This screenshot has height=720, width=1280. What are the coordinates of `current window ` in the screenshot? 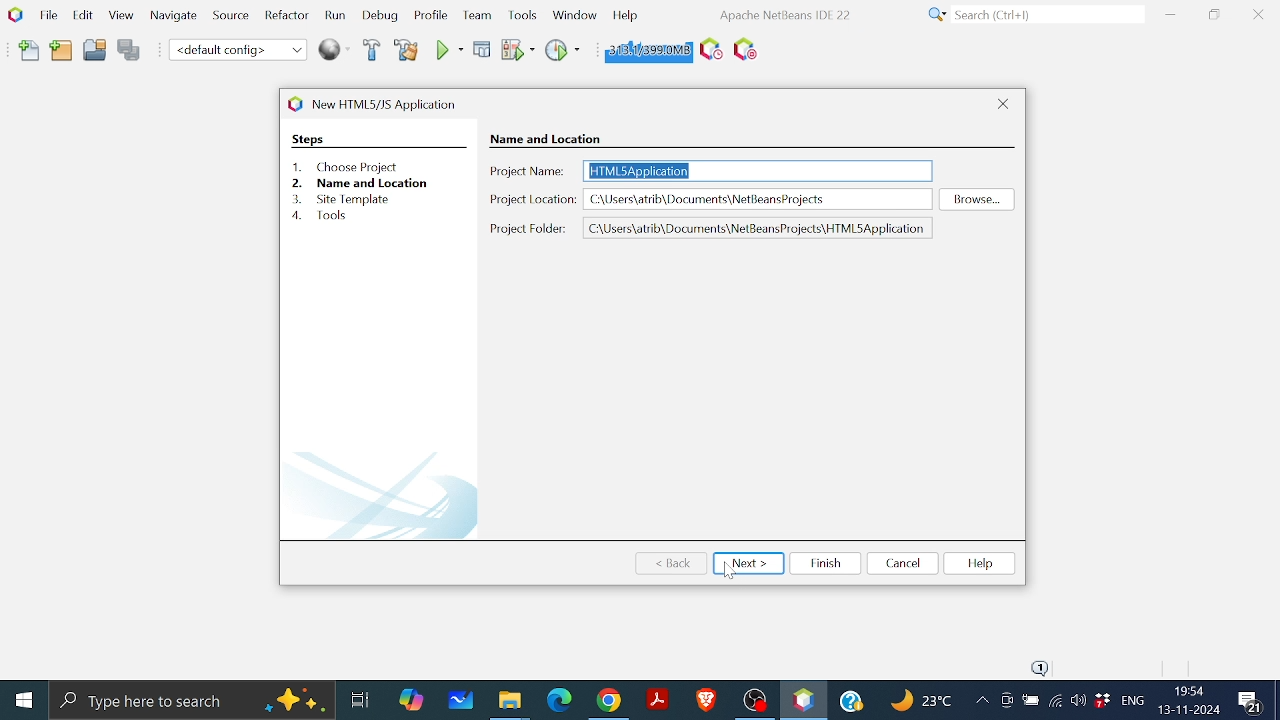 It's located at (392, 103).